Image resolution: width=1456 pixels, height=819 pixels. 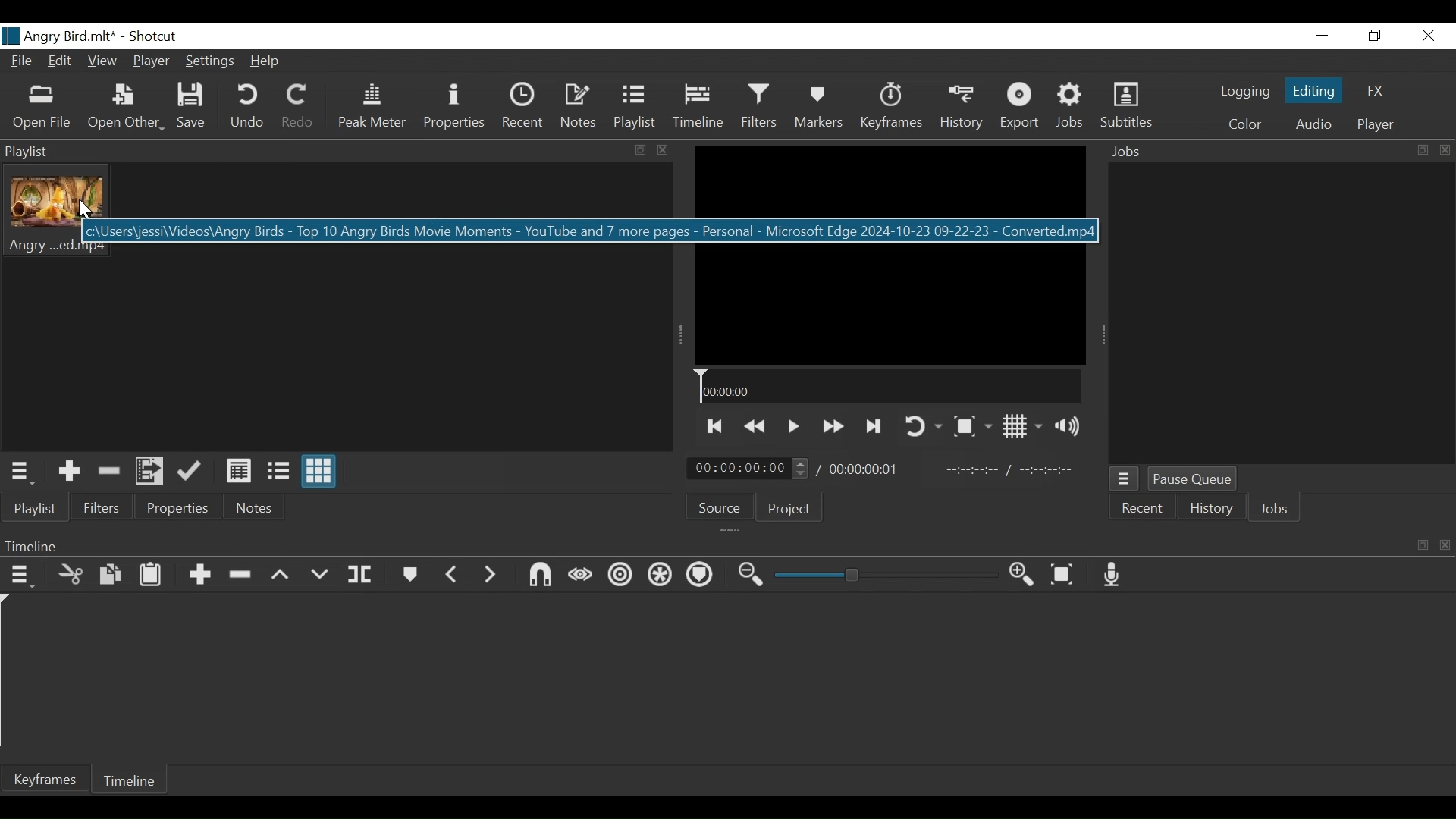 What do you see at coordinates (190, 471) in the screenshot?
I see `Update` at bounding box center [190, 471].